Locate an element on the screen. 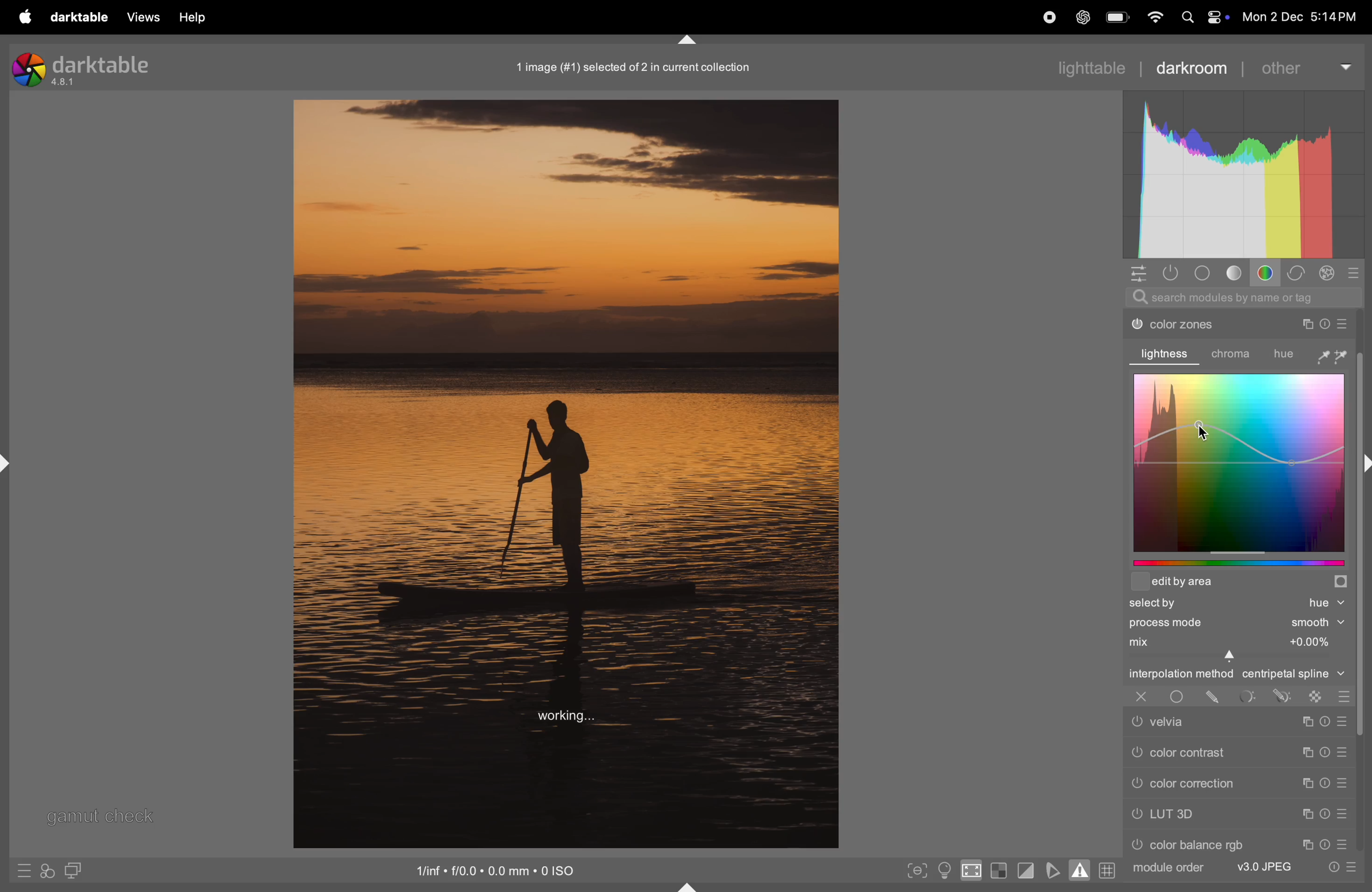 The width and height of the screenshot is (1372, 892). 1 image (#1) selected of 2 in current collection is located at coordinates (632, 69).